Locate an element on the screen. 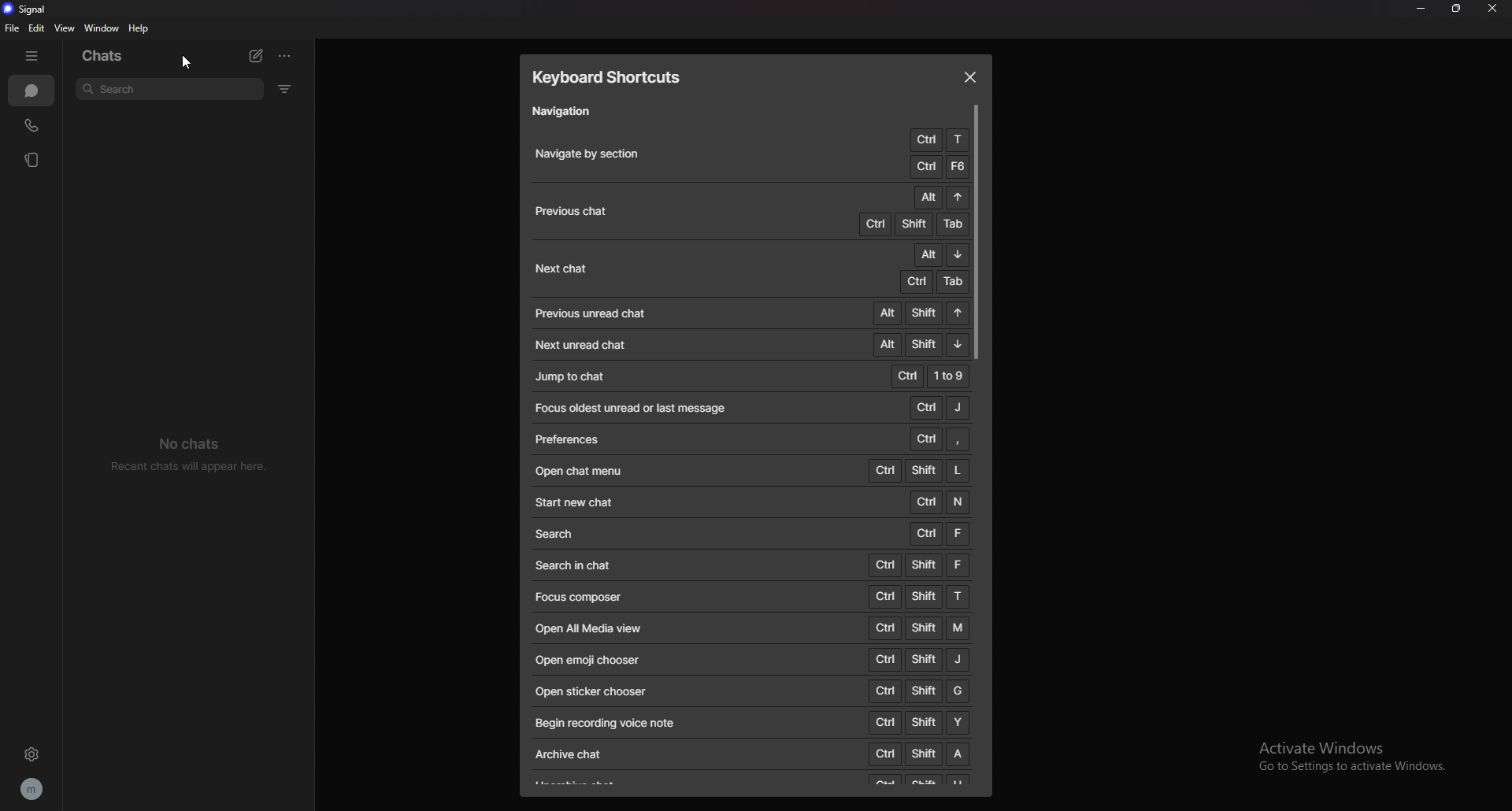 The width and height of the screenshot is (1512, 811). signal is located at coordinates (35, 9).